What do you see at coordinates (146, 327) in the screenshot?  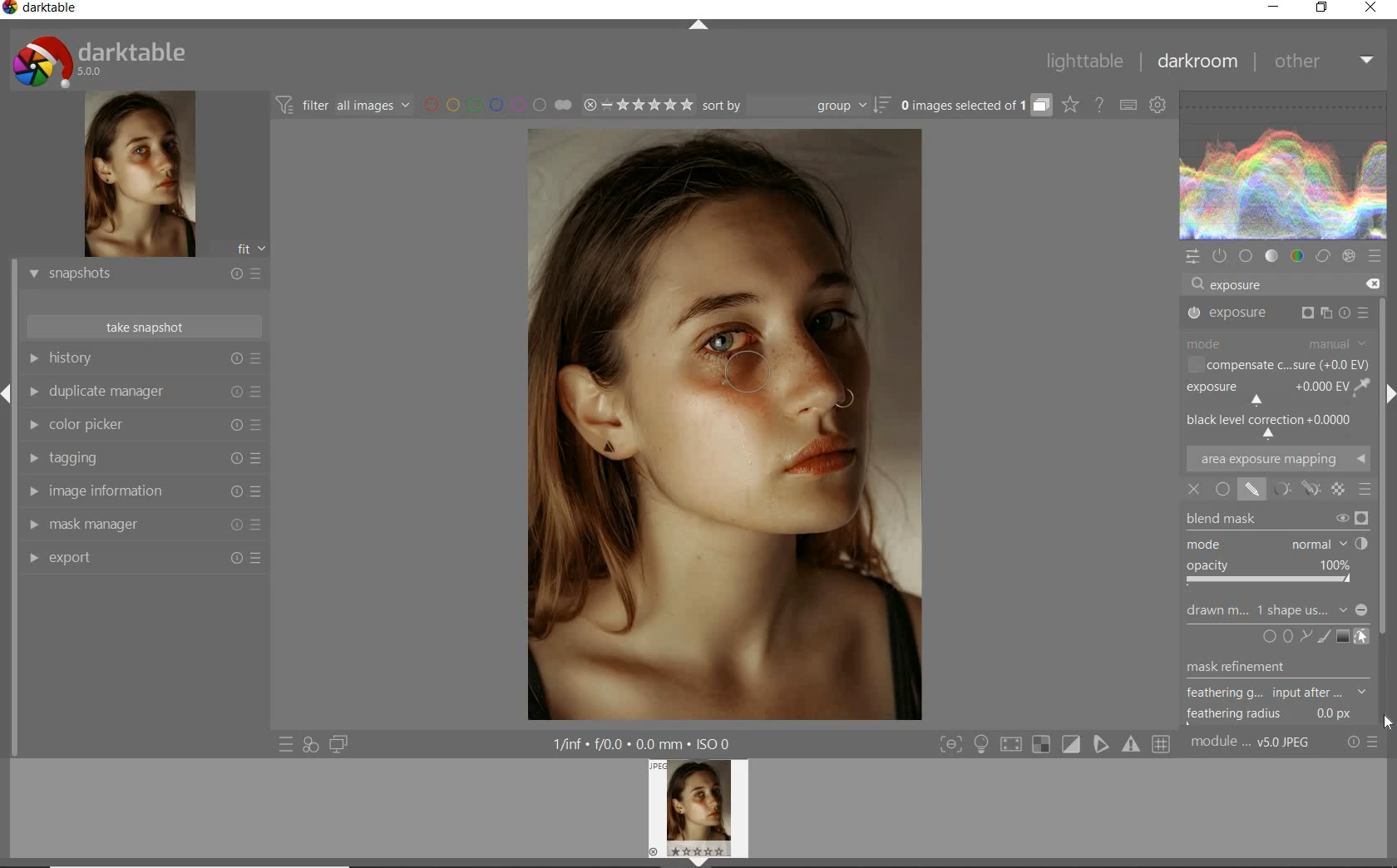 I see `take snapshots` at bounding box center [146, 327].